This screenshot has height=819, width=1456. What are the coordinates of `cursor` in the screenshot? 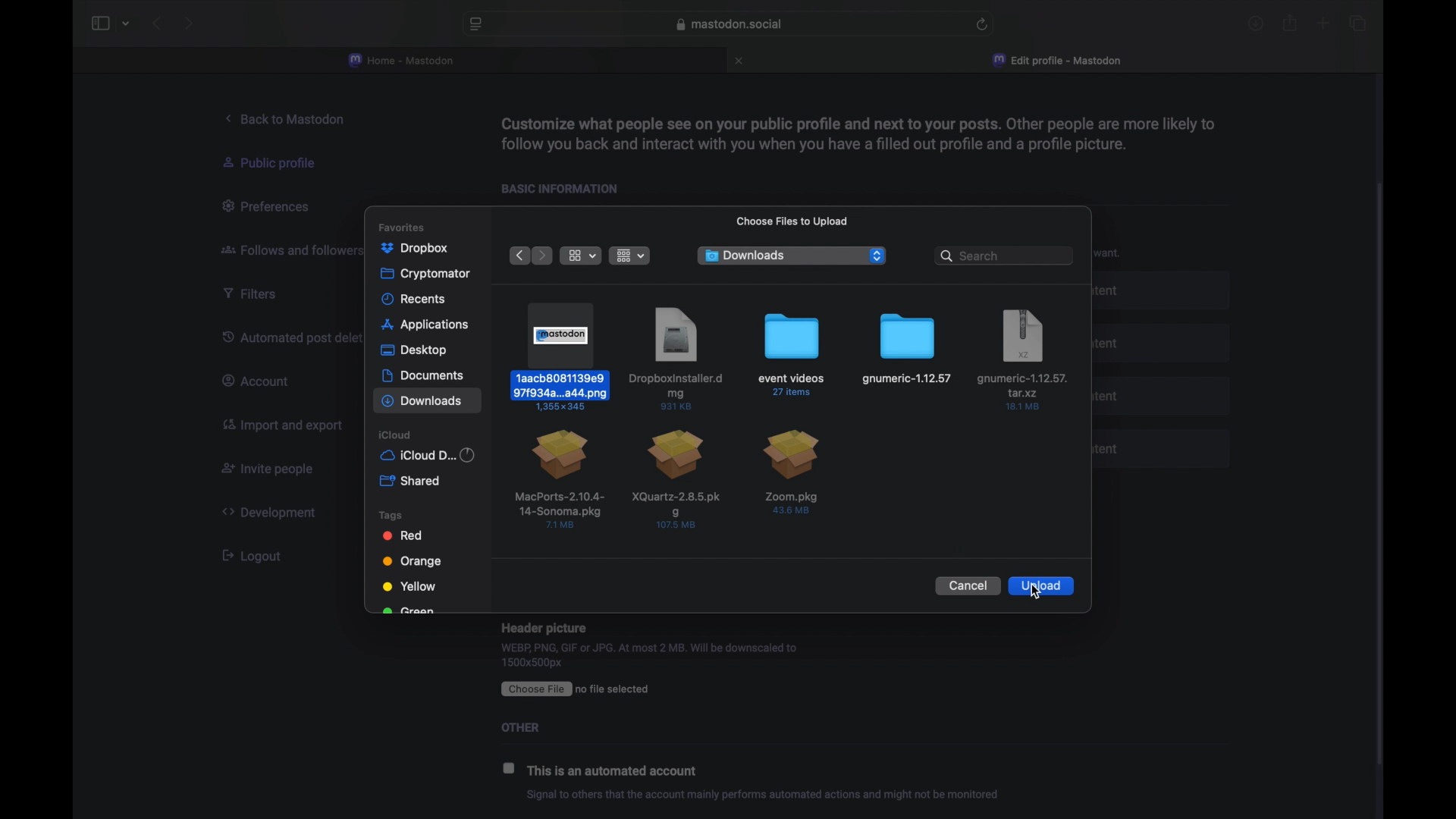 It's located at (1036, 592).